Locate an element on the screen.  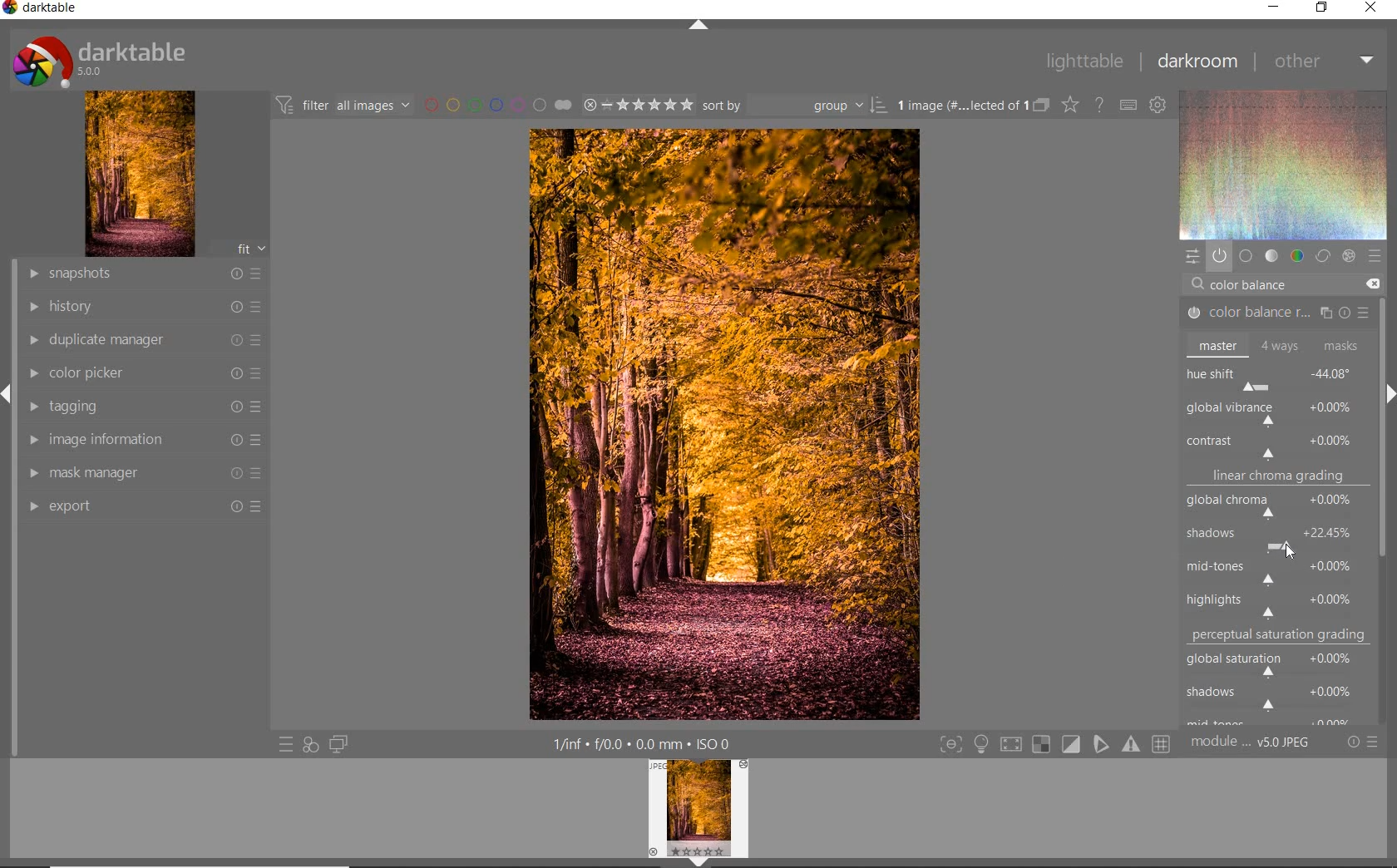
highlights is located at coordinates (1281, 601).